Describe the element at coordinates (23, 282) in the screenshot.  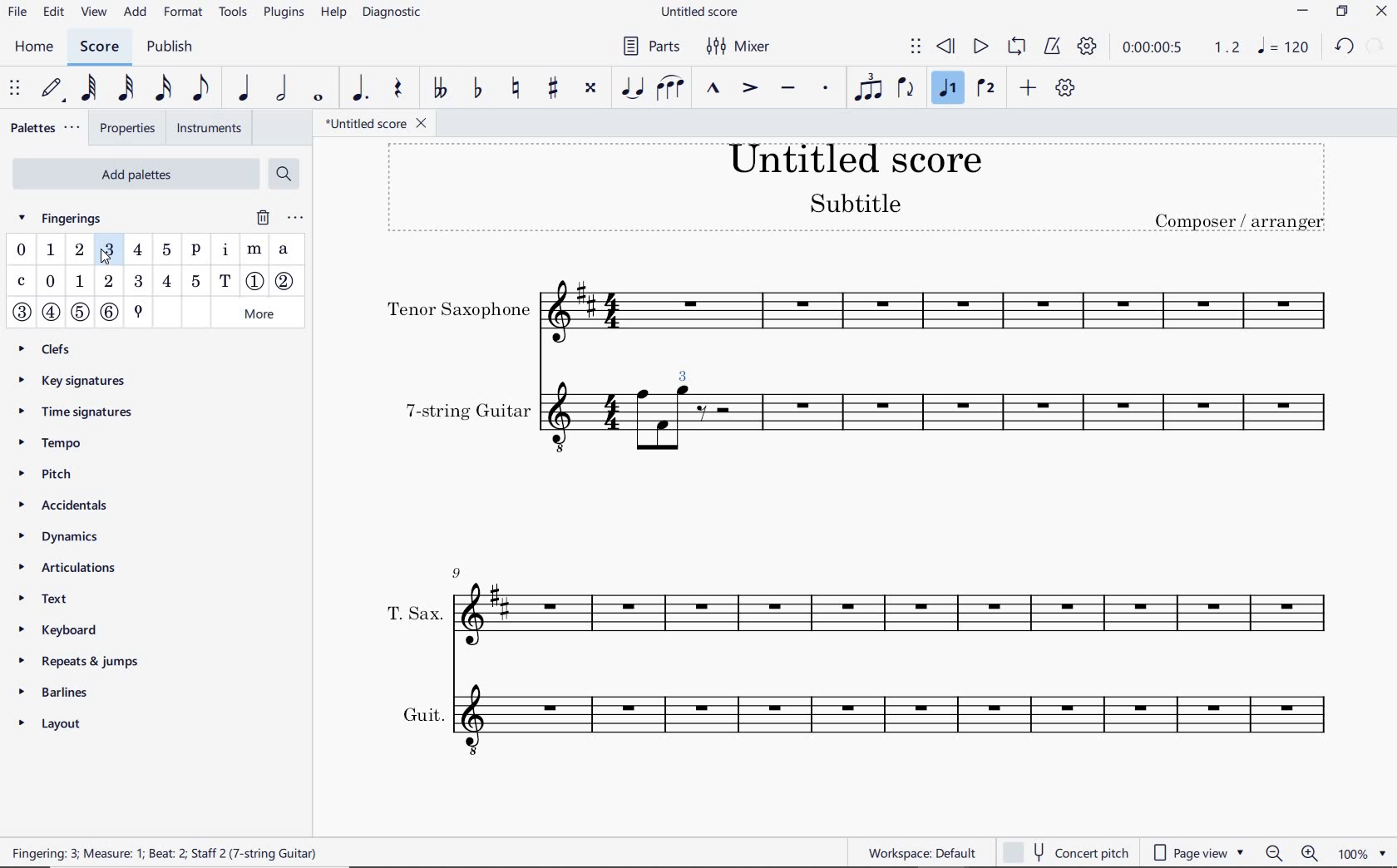
I see `rh guitar fingering c` at that location.